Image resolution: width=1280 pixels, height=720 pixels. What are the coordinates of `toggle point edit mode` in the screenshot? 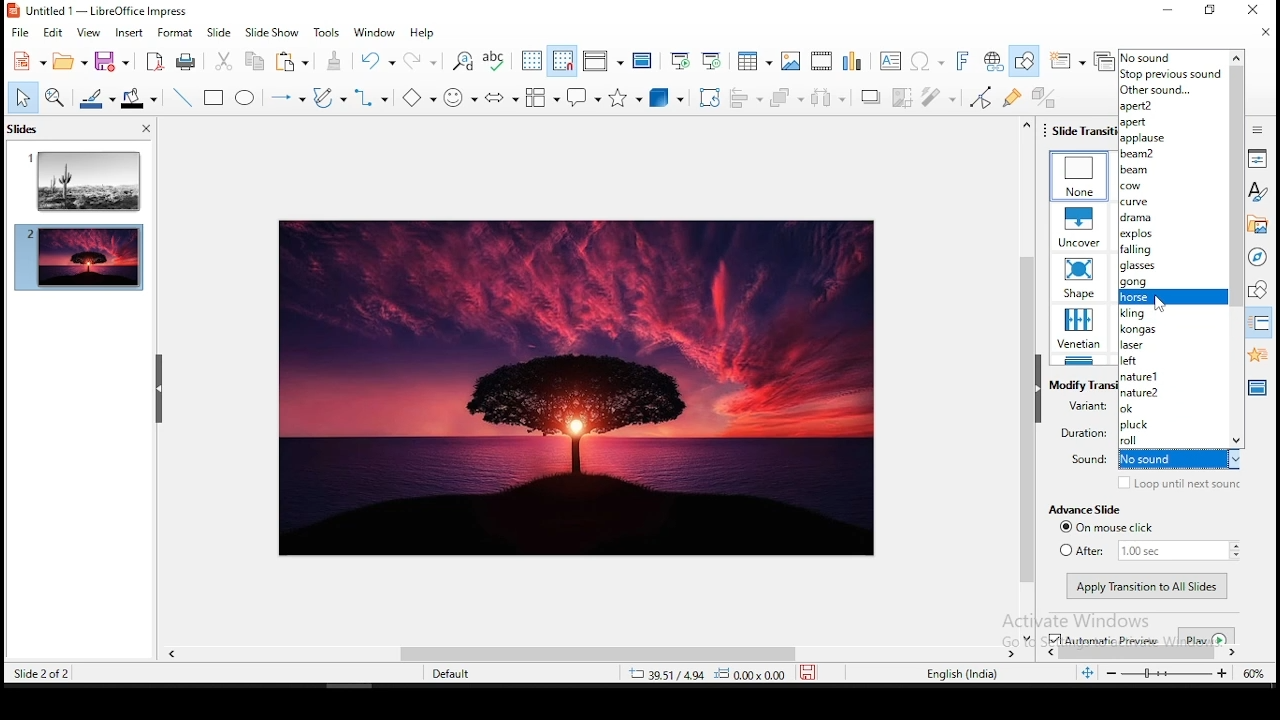 It's located at (979, 97).